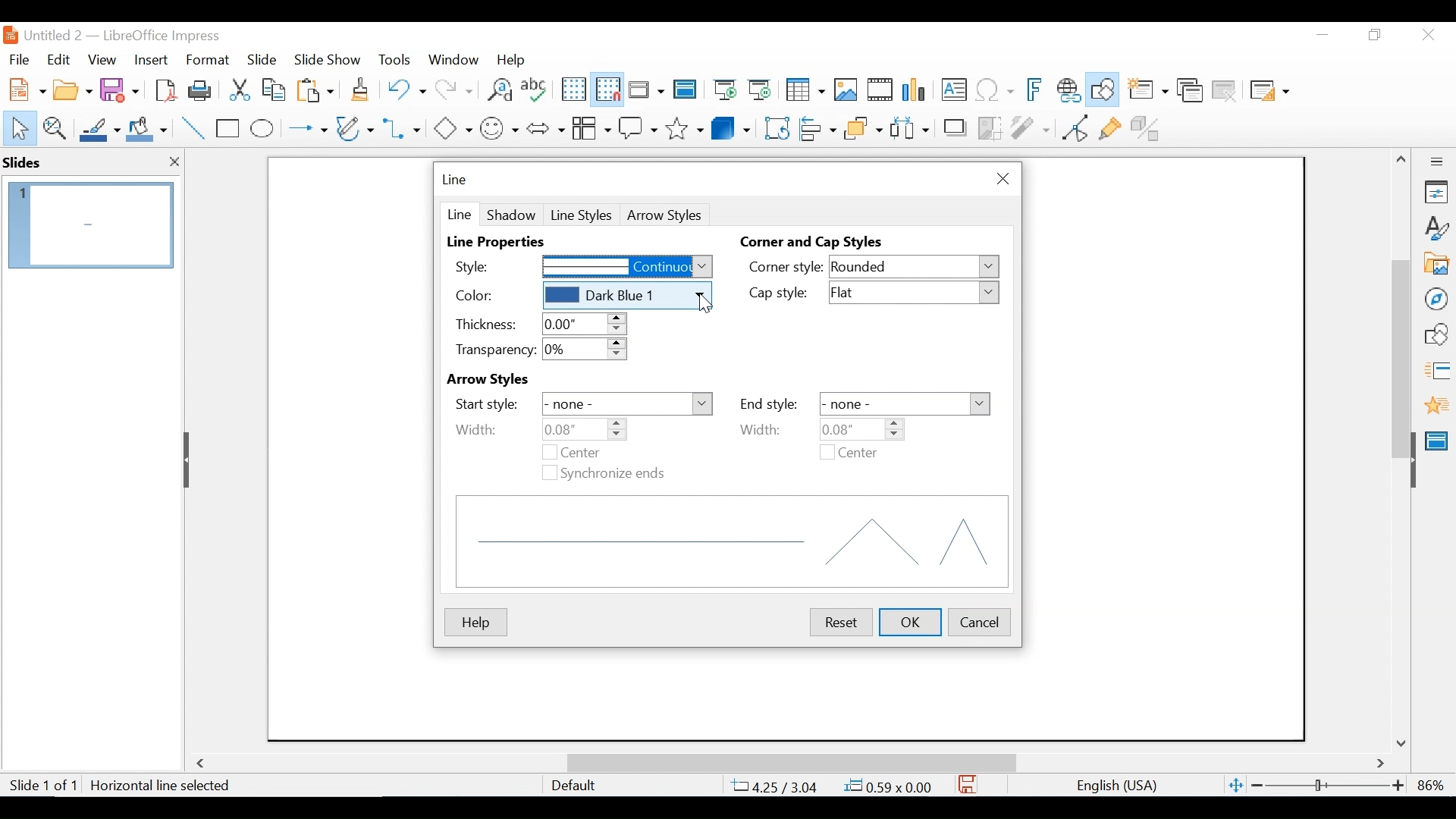  I want to click on Insert Frontwork, so click(1036, 90).